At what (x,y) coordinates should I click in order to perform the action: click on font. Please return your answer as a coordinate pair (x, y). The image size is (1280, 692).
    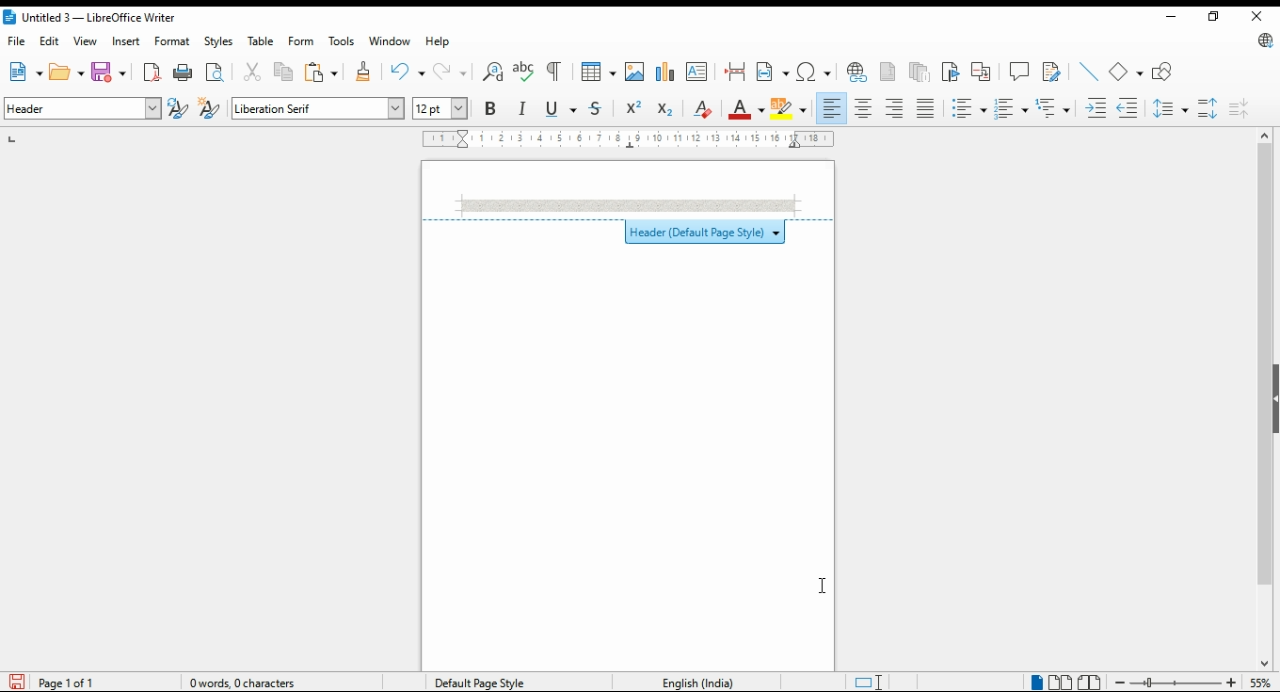
    Looking at the image, I should click on (318, 109).